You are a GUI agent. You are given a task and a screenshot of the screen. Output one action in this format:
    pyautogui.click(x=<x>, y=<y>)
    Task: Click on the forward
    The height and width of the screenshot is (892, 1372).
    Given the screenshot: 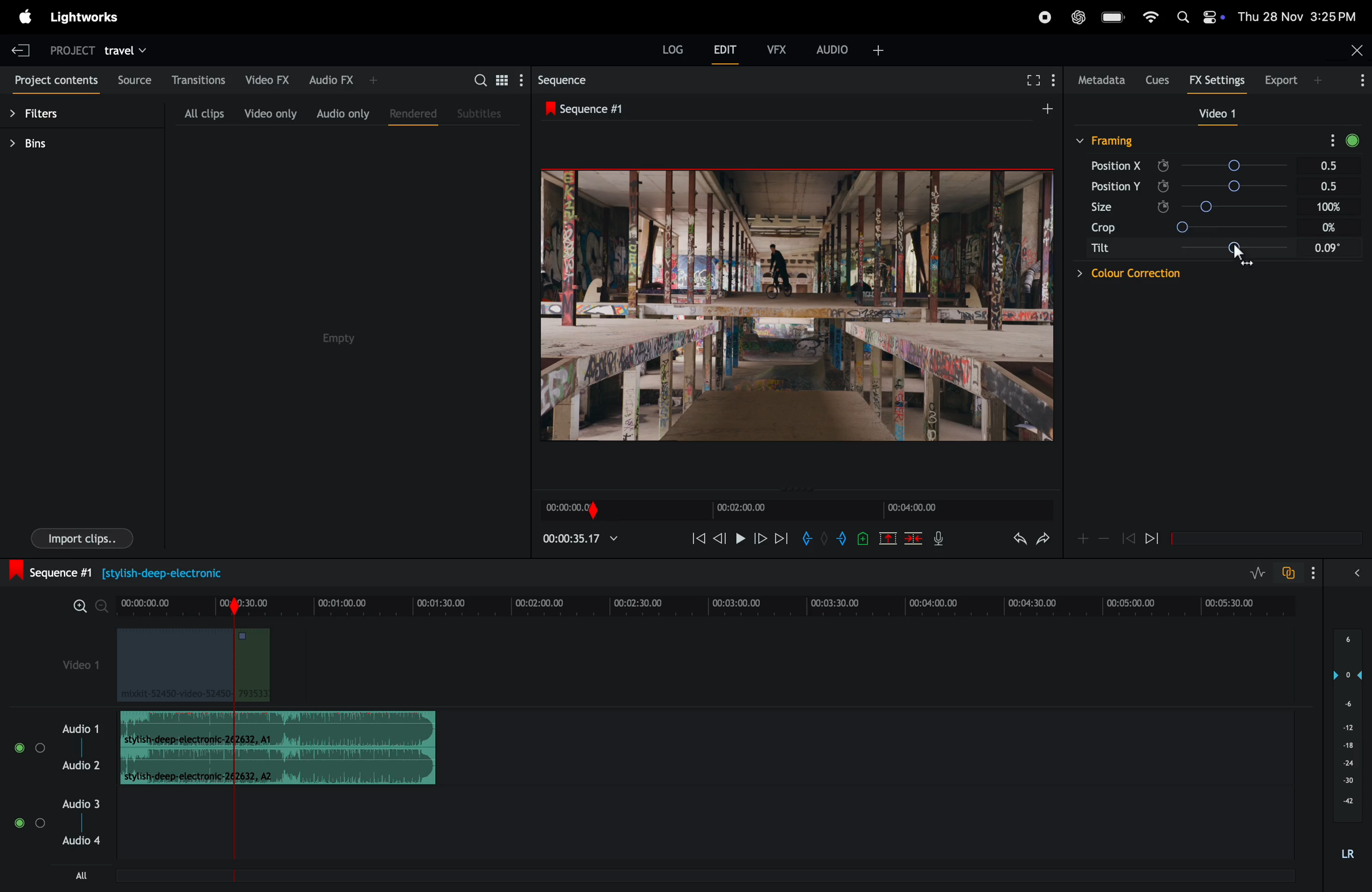 What is the action you would take?
    pyautogui.click(x=782, y=541)
    